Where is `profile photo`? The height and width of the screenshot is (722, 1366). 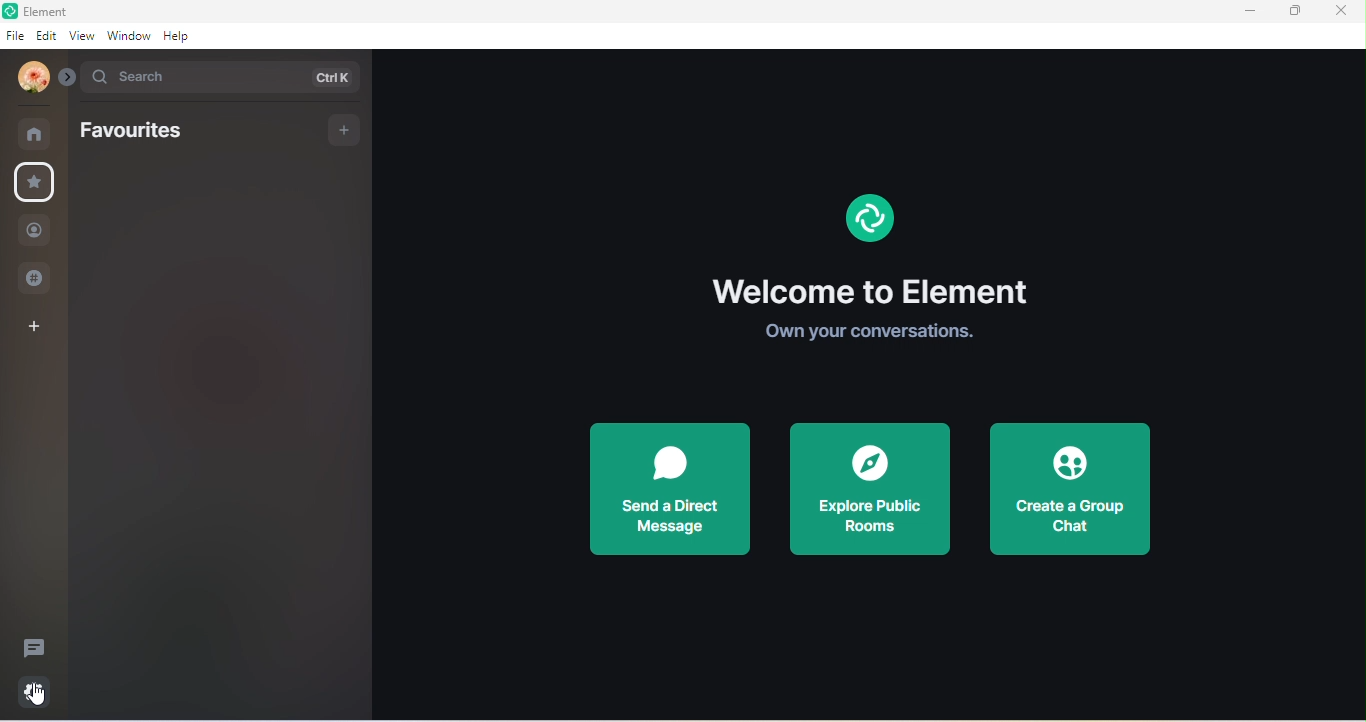 profile photo is located at coordinates (28, 78).